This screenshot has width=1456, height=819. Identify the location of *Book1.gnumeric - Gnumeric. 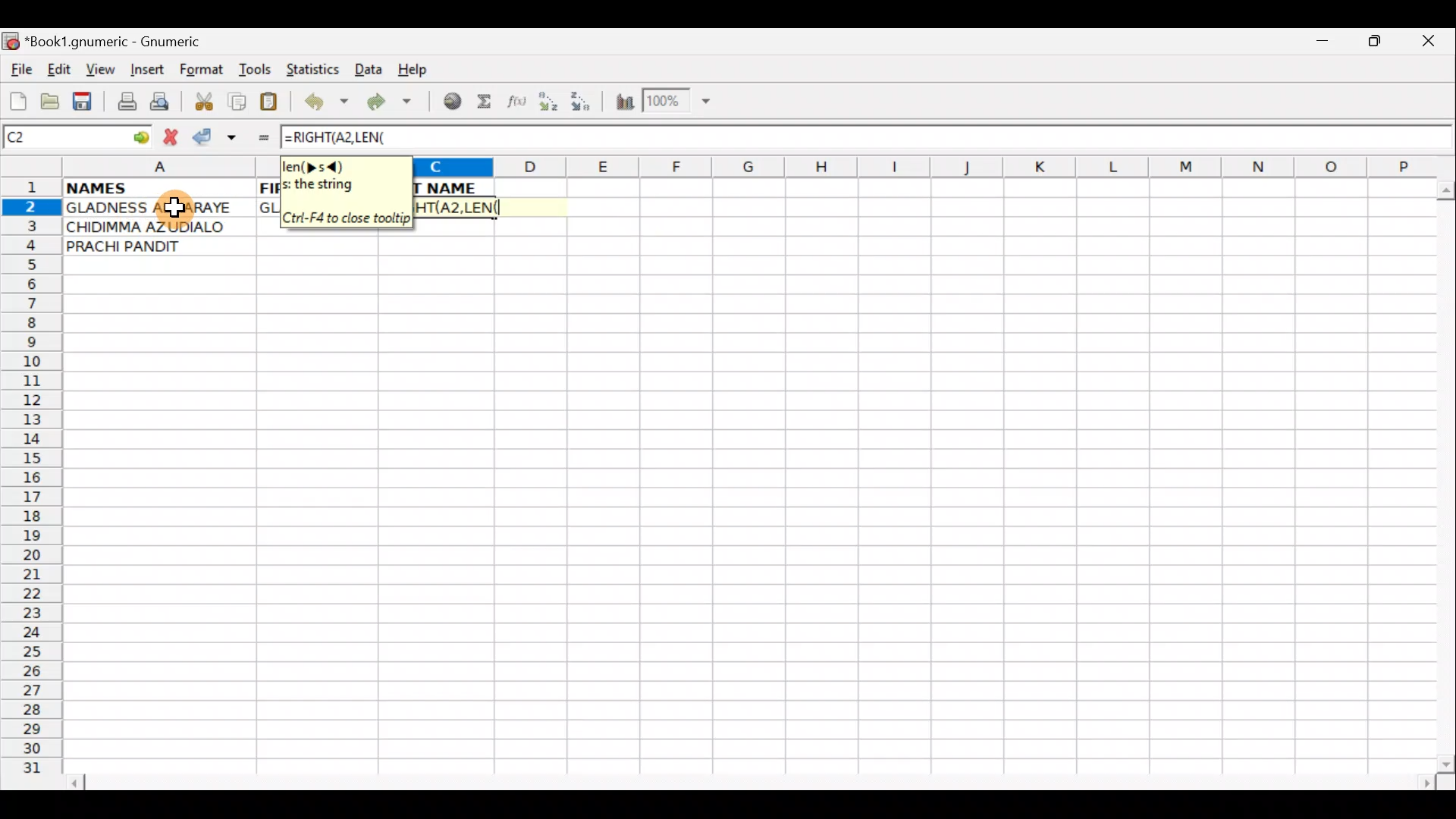
(127, 42).